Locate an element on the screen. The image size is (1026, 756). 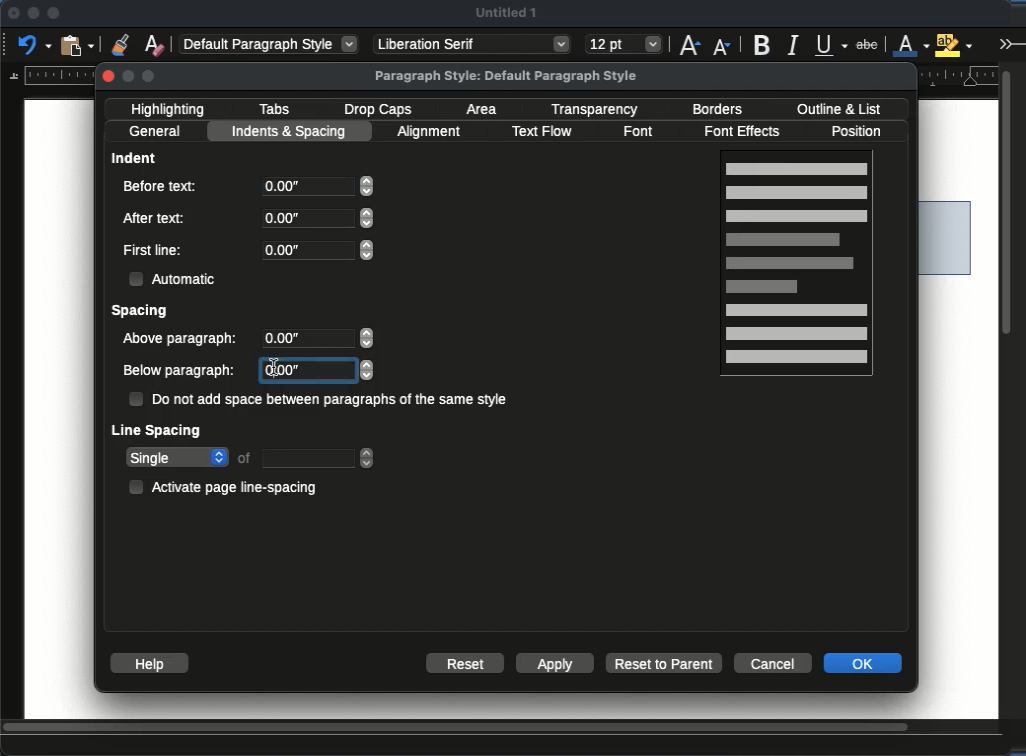
preview is located at coordinates (796, 266).